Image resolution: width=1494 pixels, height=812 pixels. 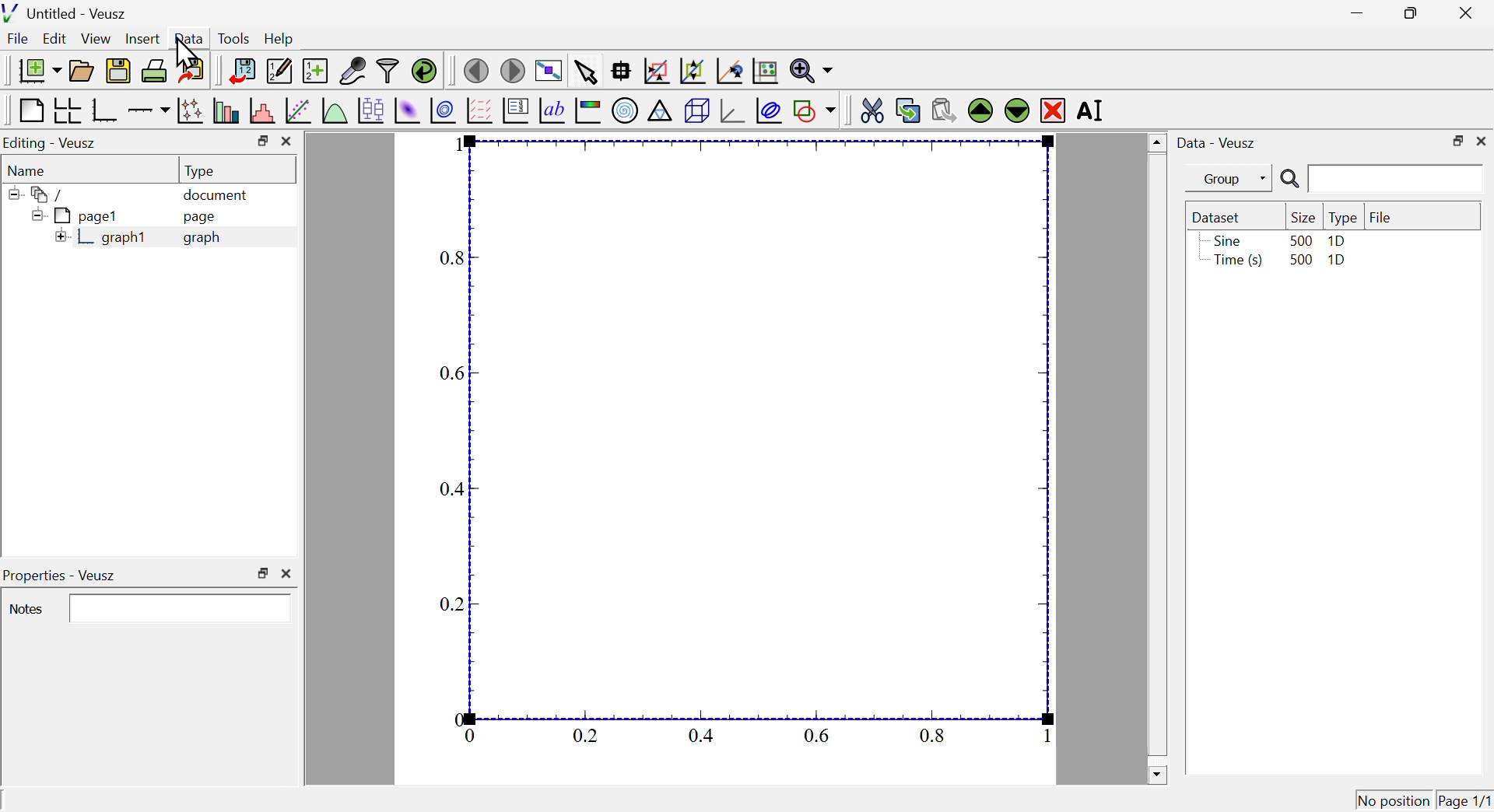 What do you see at coordinates (1299, 261) in the screenshot?
I see `500` at bounding box center [1299, 261].